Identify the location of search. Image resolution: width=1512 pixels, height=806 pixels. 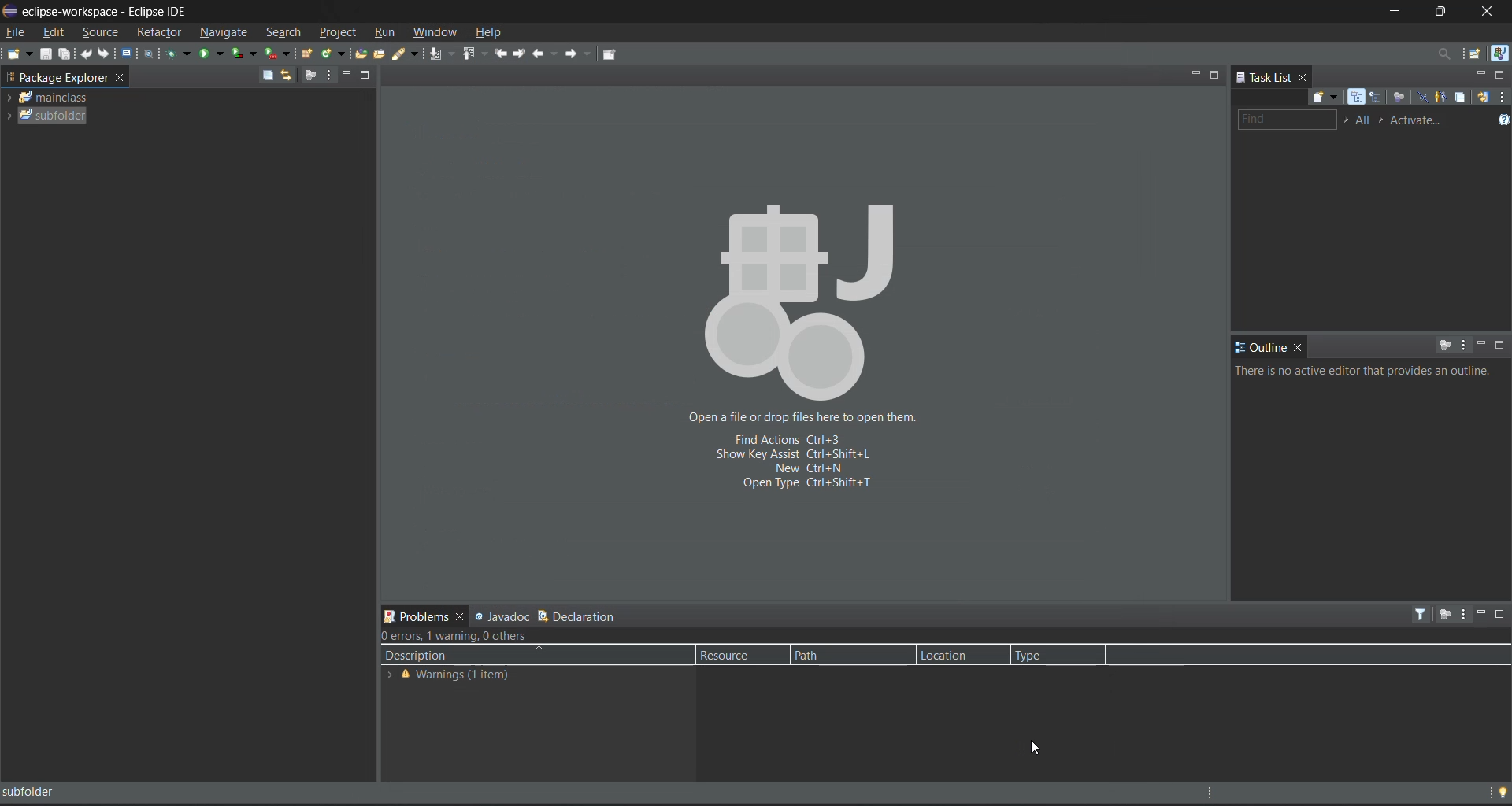
(409, 54).